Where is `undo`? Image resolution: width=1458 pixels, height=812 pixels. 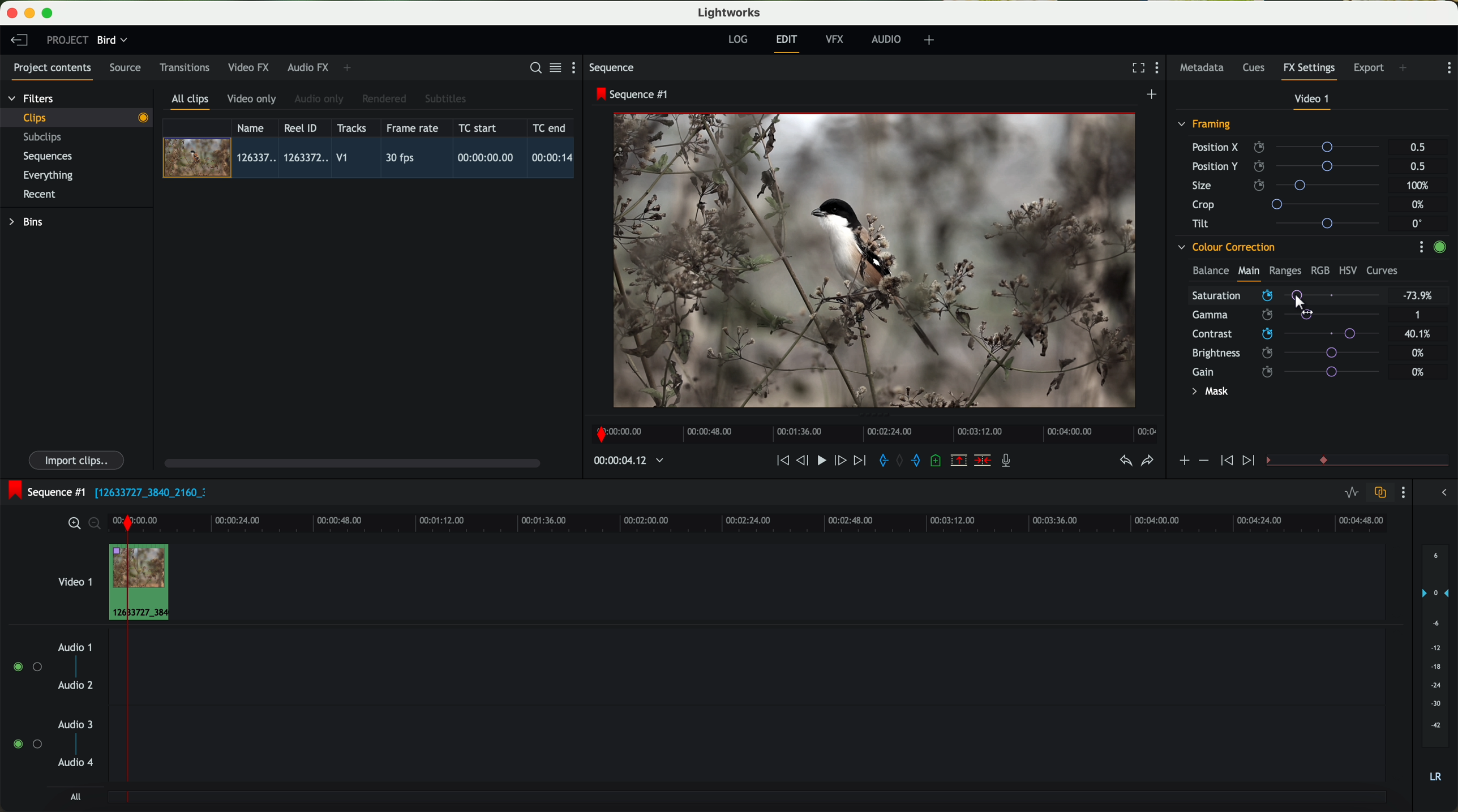
undo is located at coordinates (1125, 461).